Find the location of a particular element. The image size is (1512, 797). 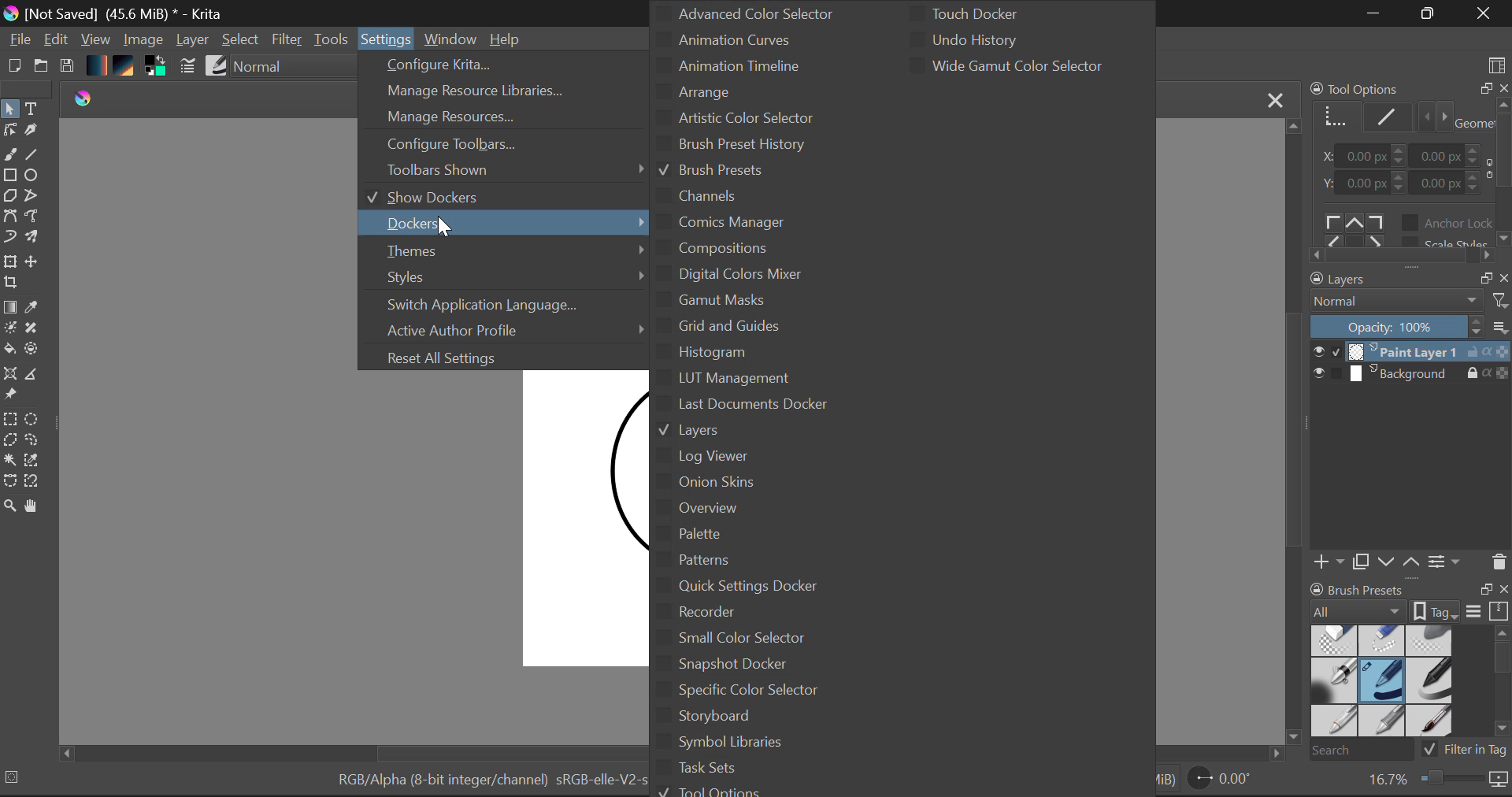

Zoom is located at coordinates (9, 505).